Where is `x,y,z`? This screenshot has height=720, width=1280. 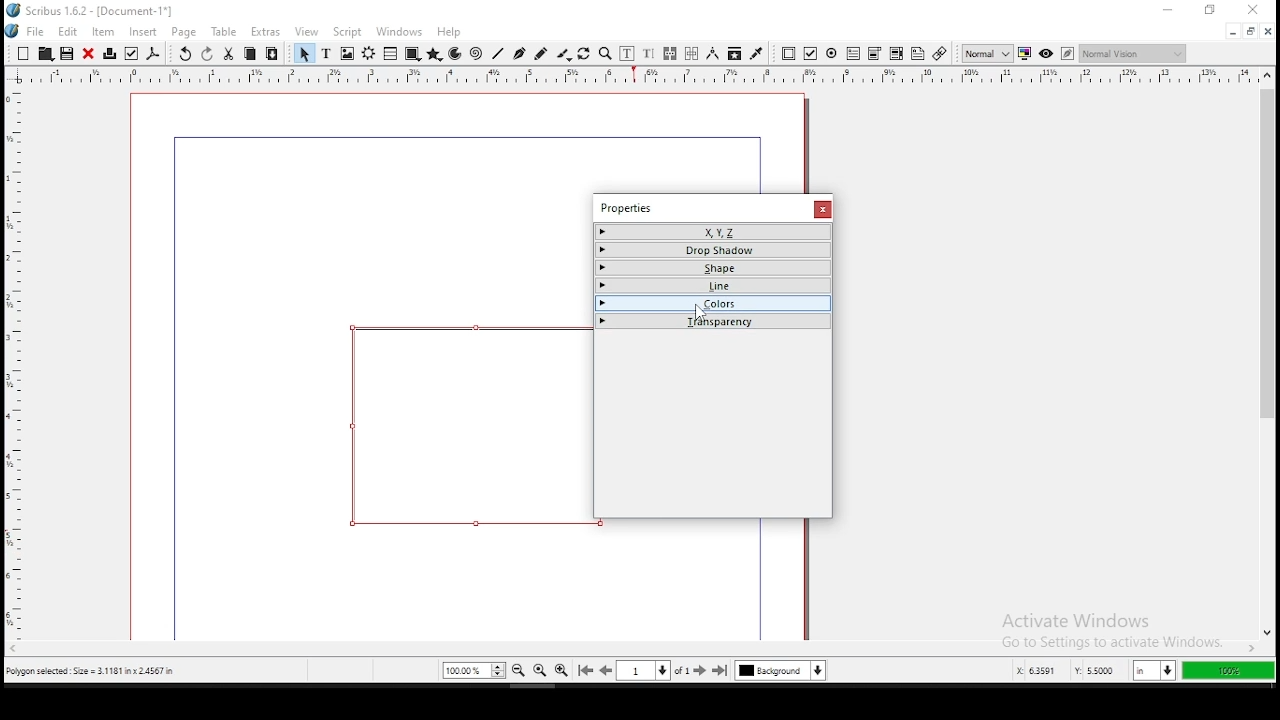
x,y,z is located at coordinates (714, 232).